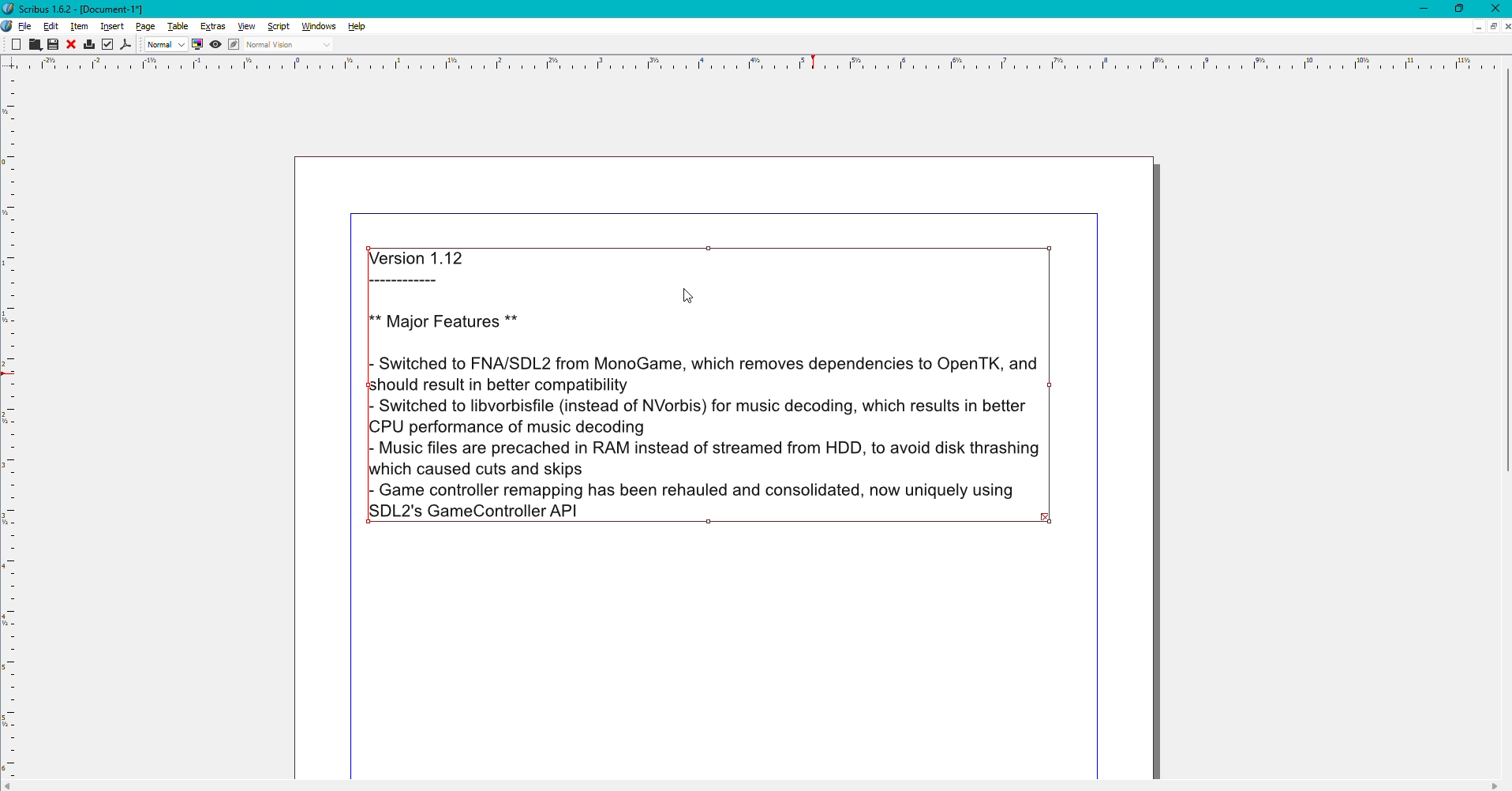 The width and height of the screenshot is (1512, 791). Describe the element at coordinates (278, 27) in the screenshot. I see `Script` at that location.